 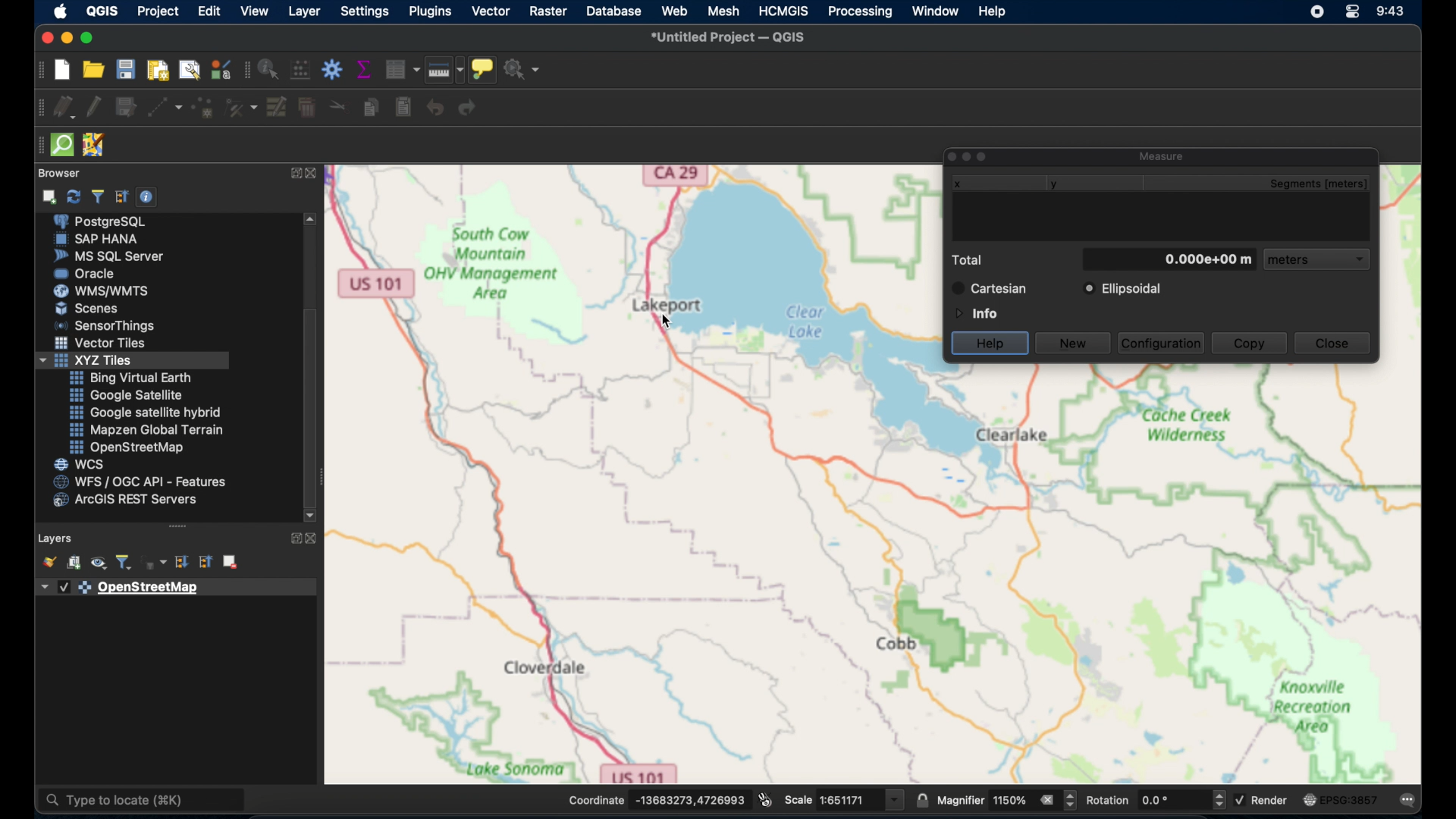 I want to click on show layout manager, so click(x=193, y=70).